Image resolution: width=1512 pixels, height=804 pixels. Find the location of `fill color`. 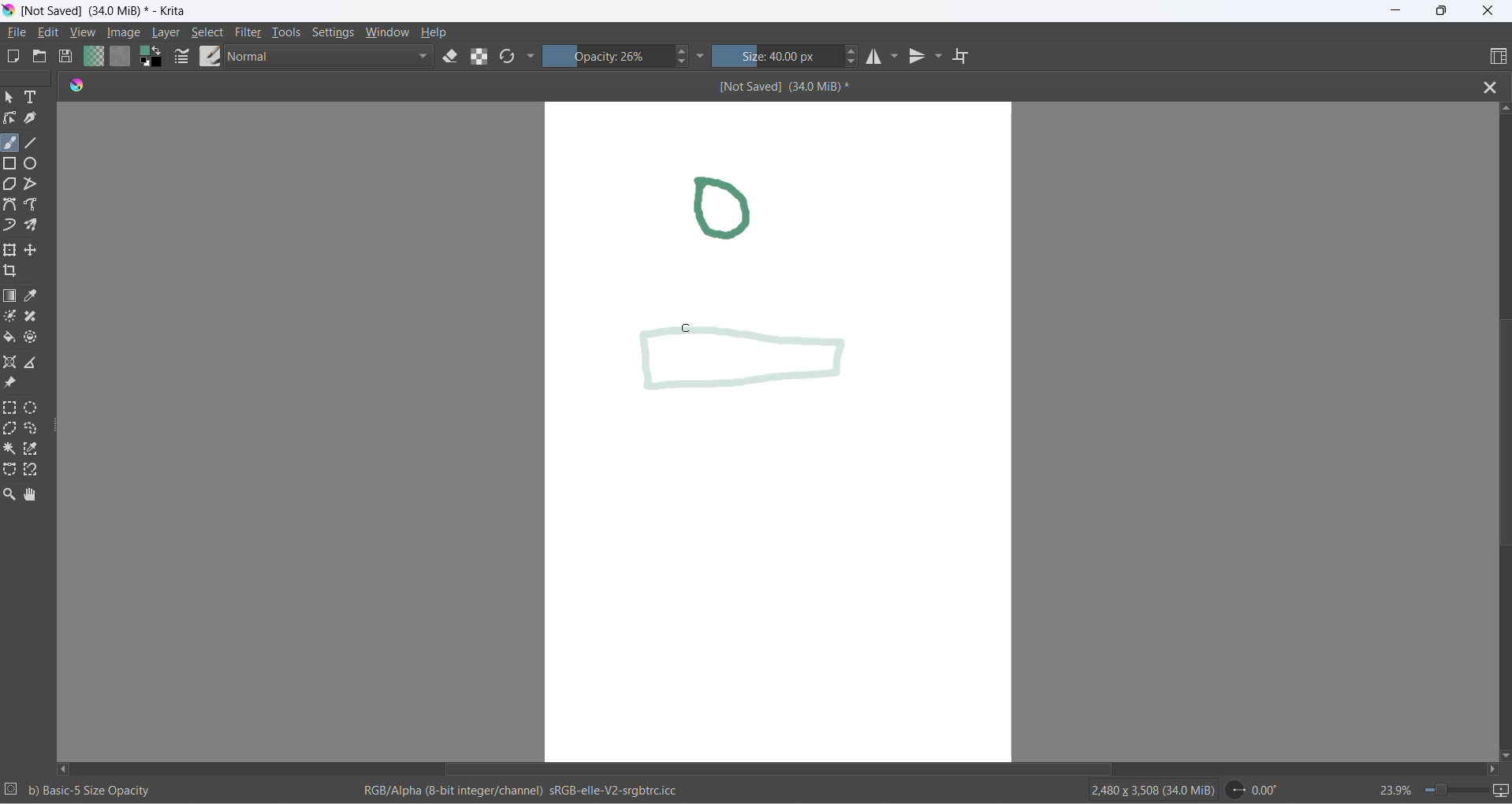

fill color is located at coordinates (12, 340).